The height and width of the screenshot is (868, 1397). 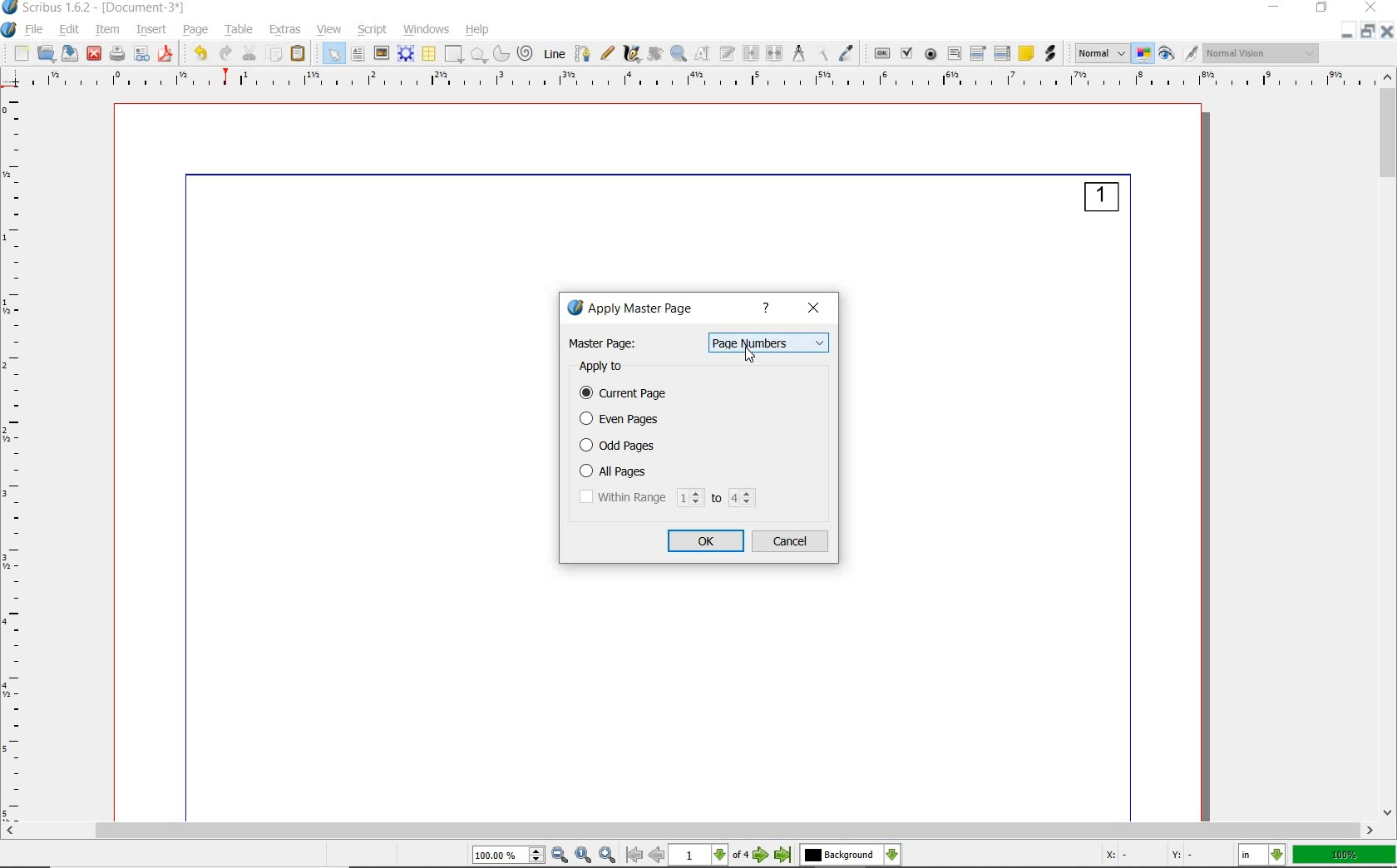 I want to click on apply master page, so click(x=640, y=309).